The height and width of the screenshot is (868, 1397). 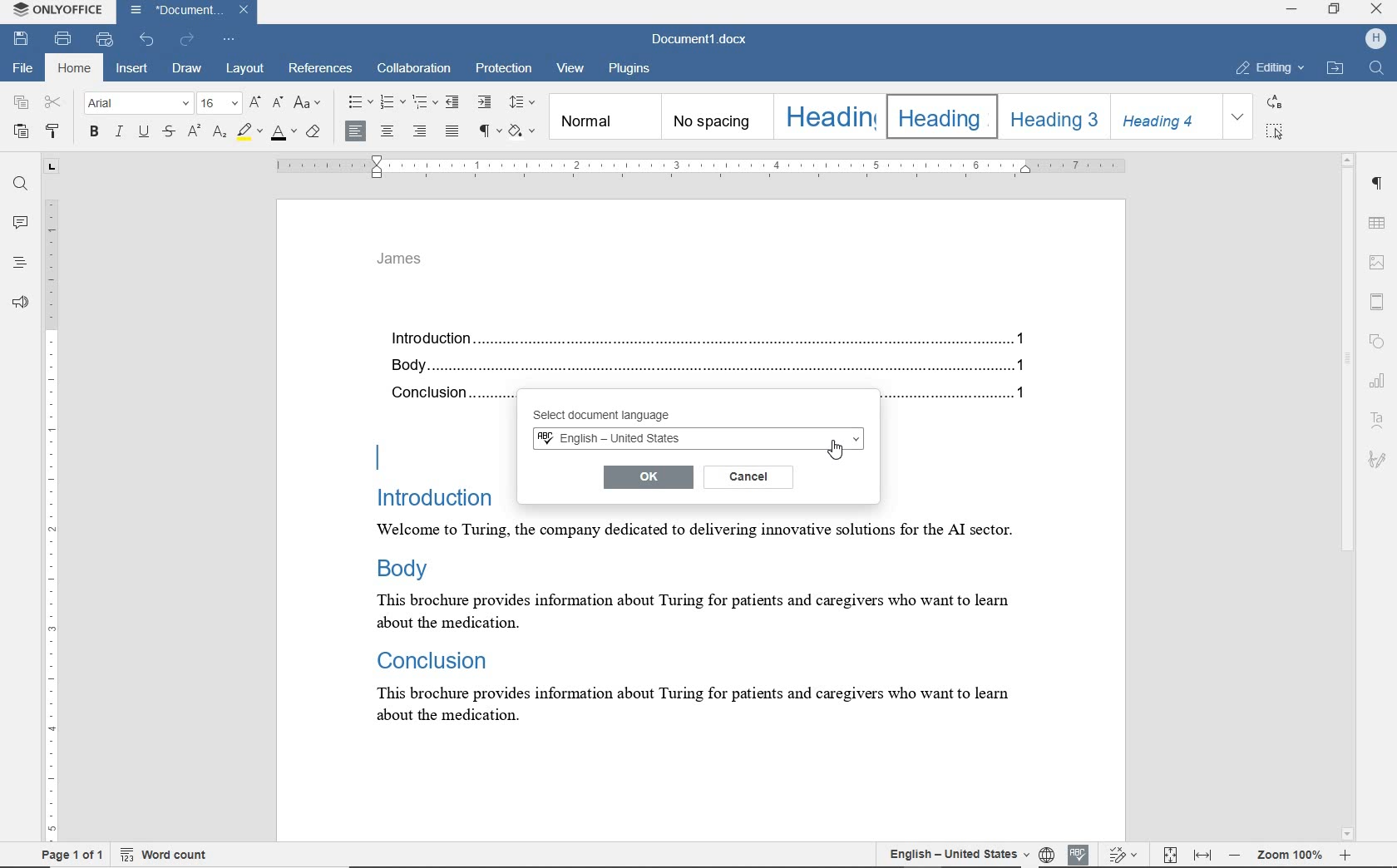 I want to click on numbering, so click(x=393, y=102).